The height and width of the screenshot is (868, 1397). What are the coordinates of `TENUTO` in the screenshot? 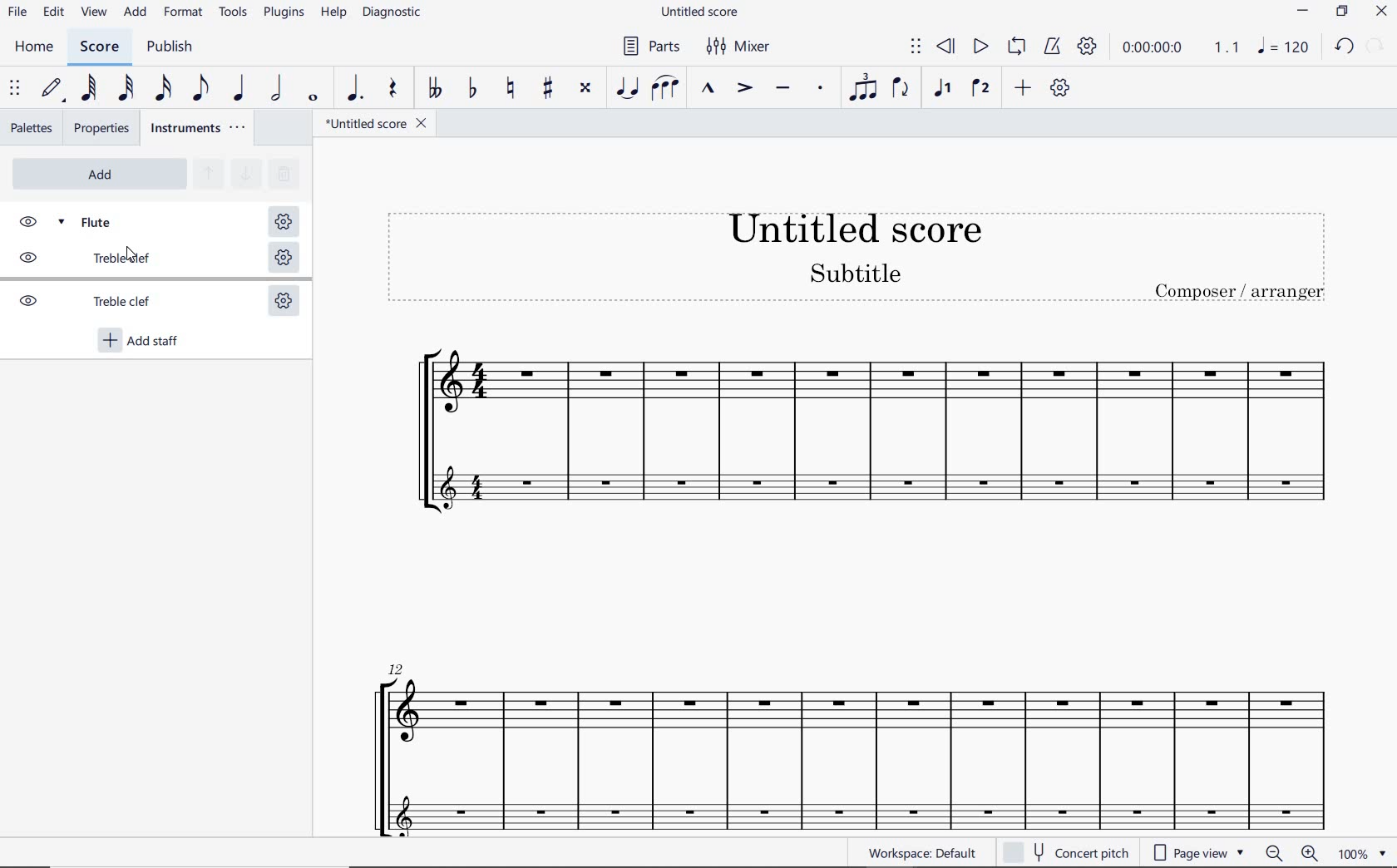 It's located at (782, 90).